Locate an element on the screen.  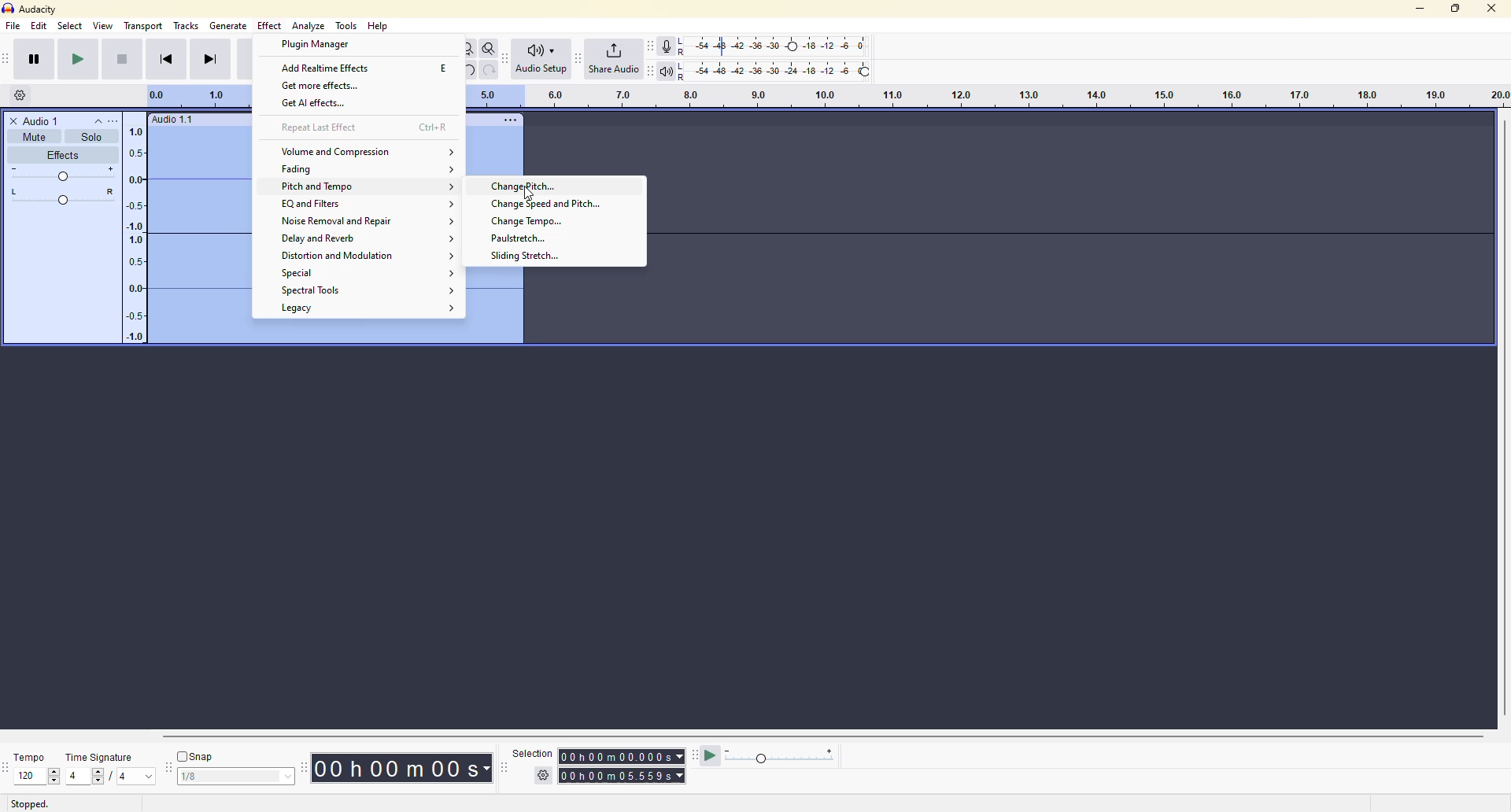
time signature toolbar is located at coordinates (6, 768).